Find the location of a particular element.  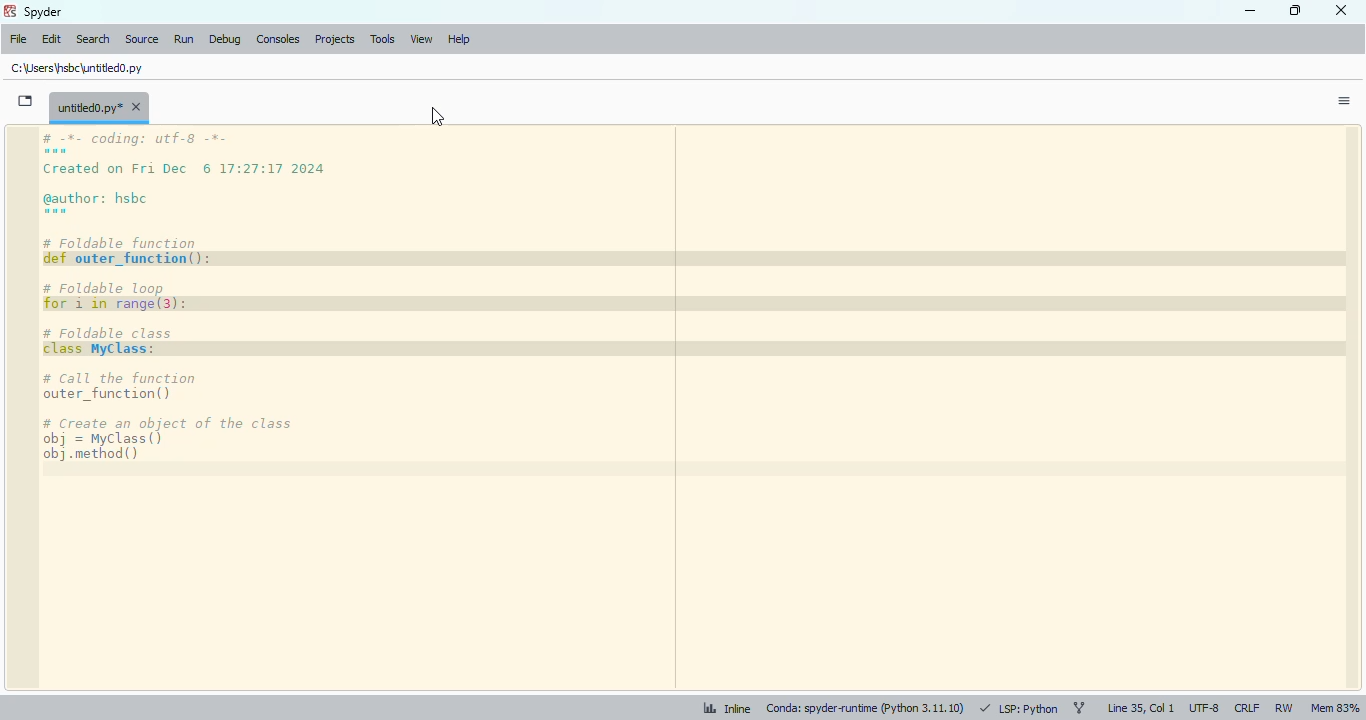

debug is located at coordinates (224, 39).